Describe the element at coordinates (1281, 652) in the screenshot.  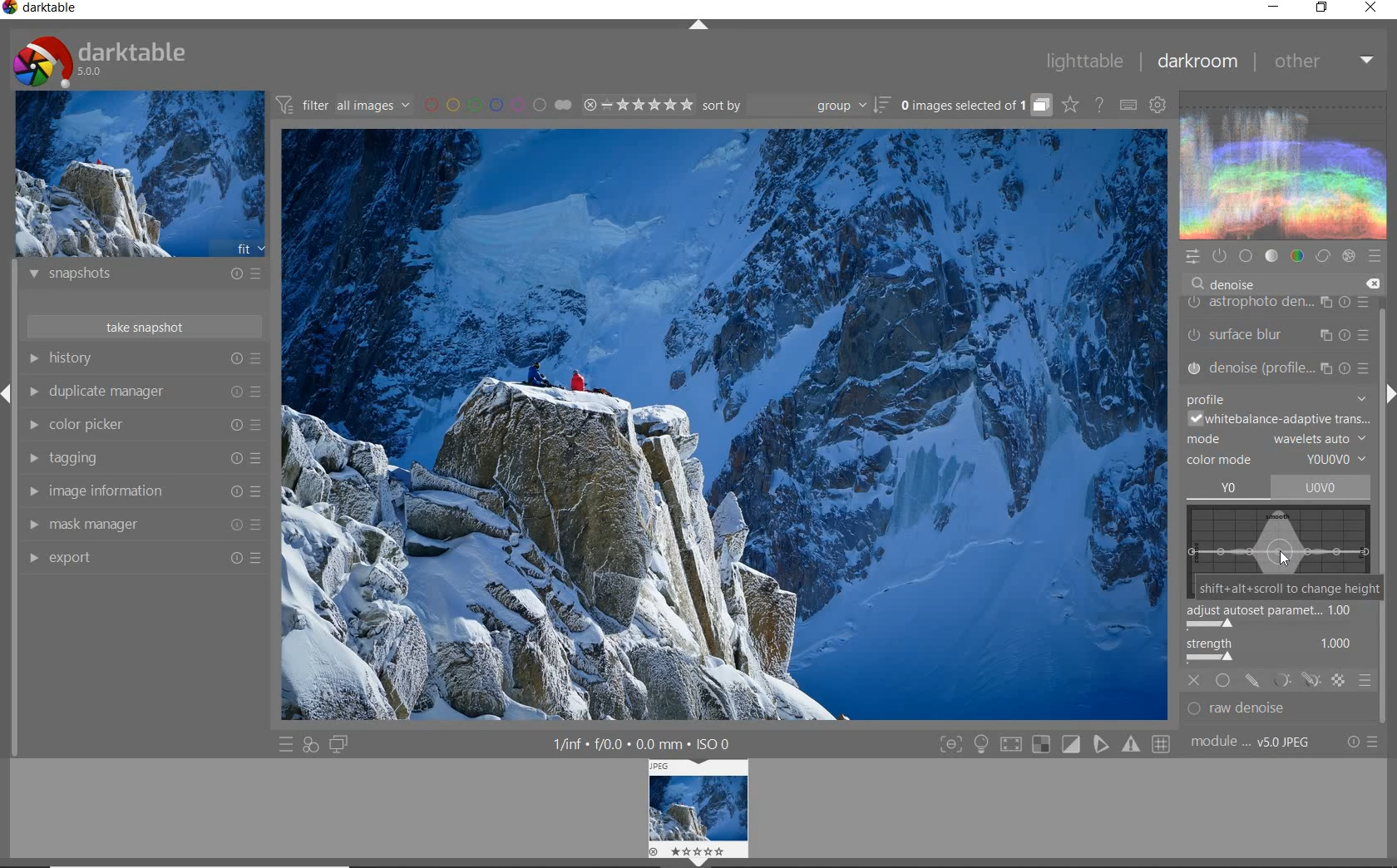
I see `STRENGTH` at that location.